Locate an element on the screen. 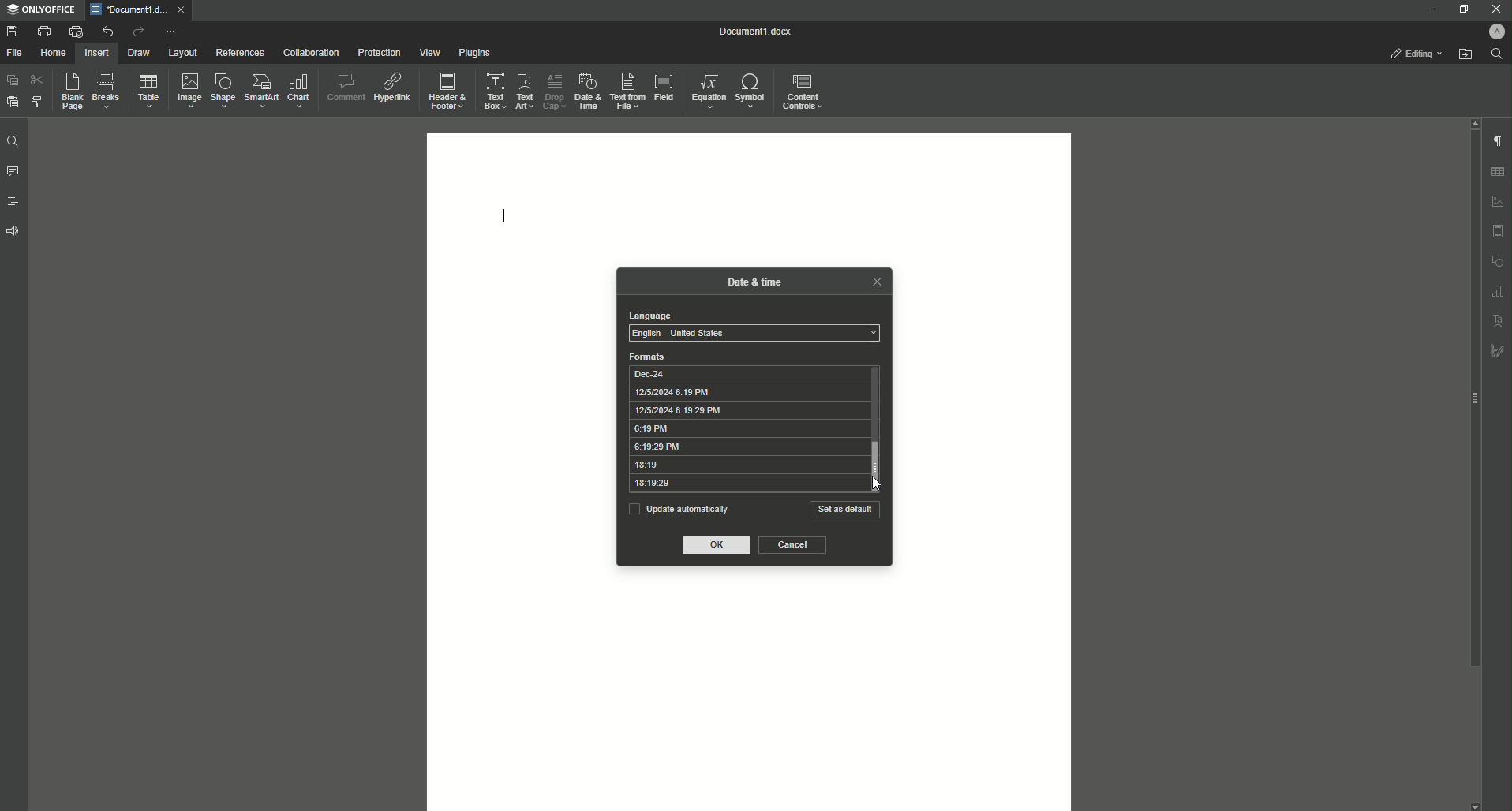 Image resolution: width=1512 pixels, height=811 pixels. Profile is located at coordinates (1495, 31).